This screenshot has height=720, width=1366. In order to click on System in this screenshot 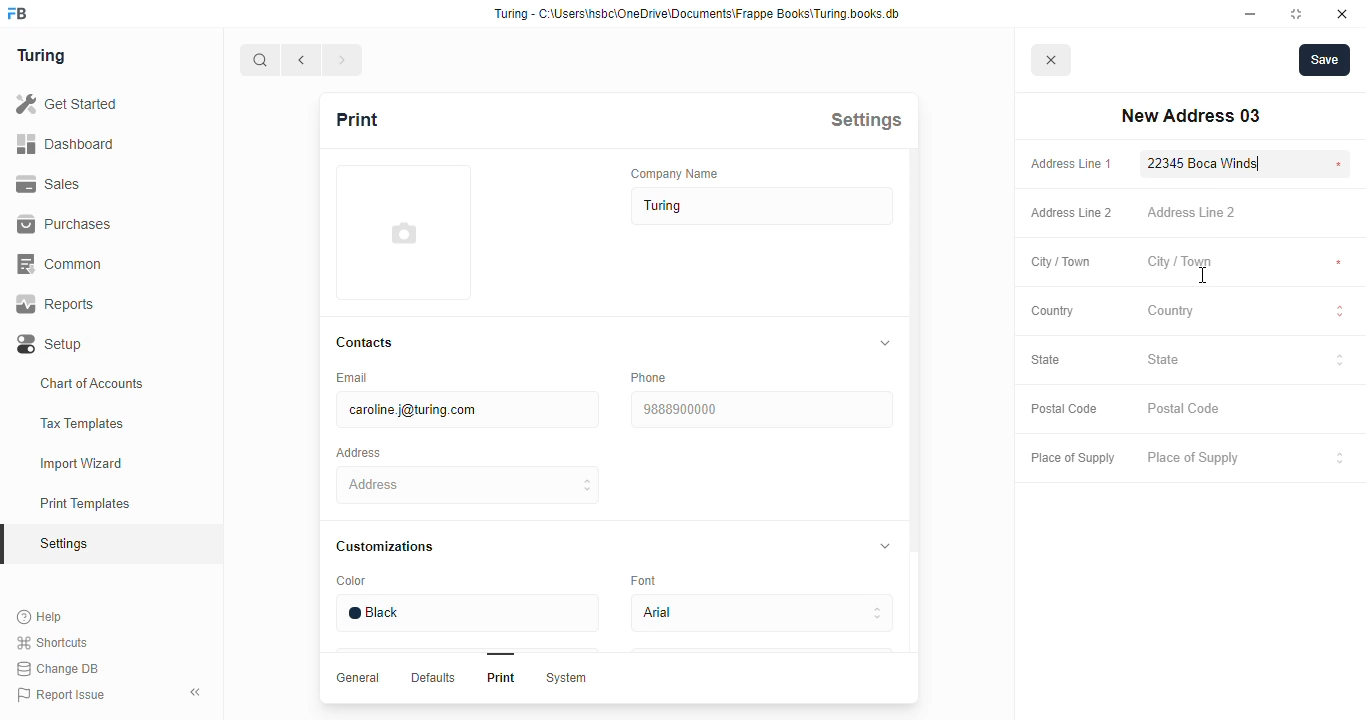, I will do `click(565, 678)`.